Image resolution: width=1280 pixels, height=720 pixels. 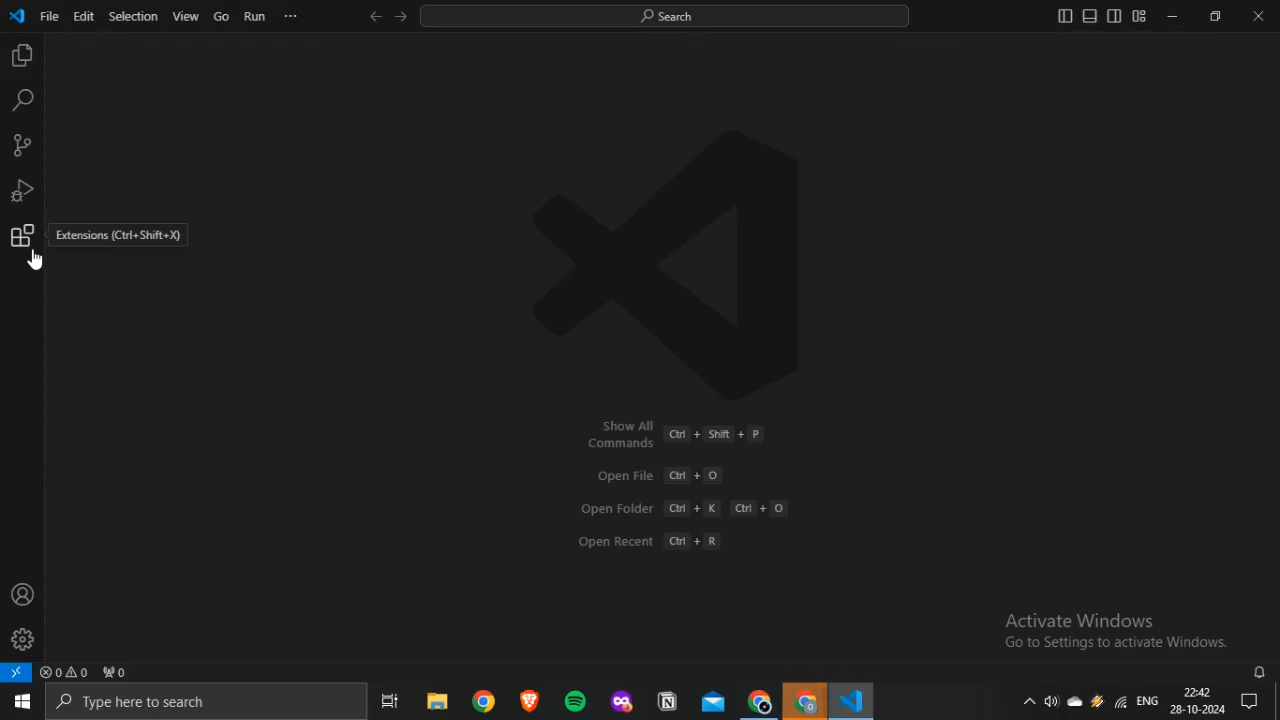 I want to click on Open Recent Ctrl + R, so click(x=657, y=540).